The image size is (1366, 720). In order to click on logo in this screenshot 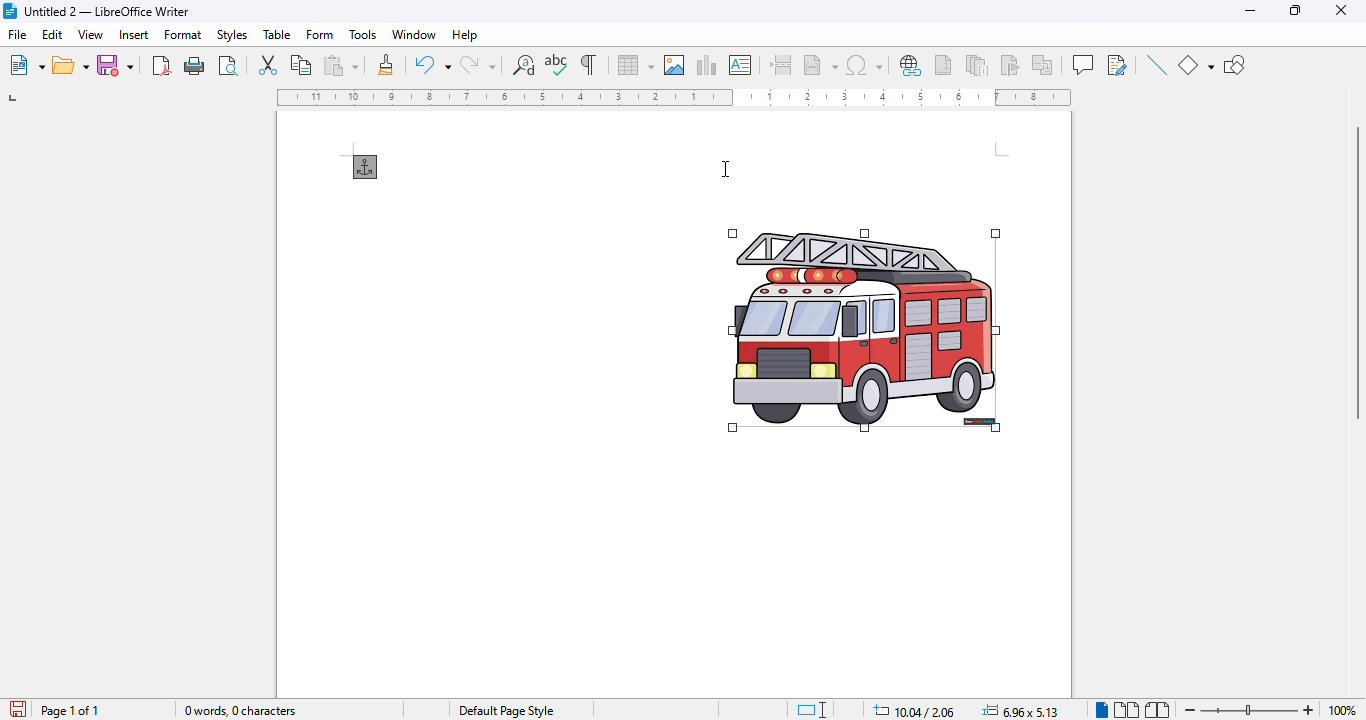, I will do `click(10, 11)`.